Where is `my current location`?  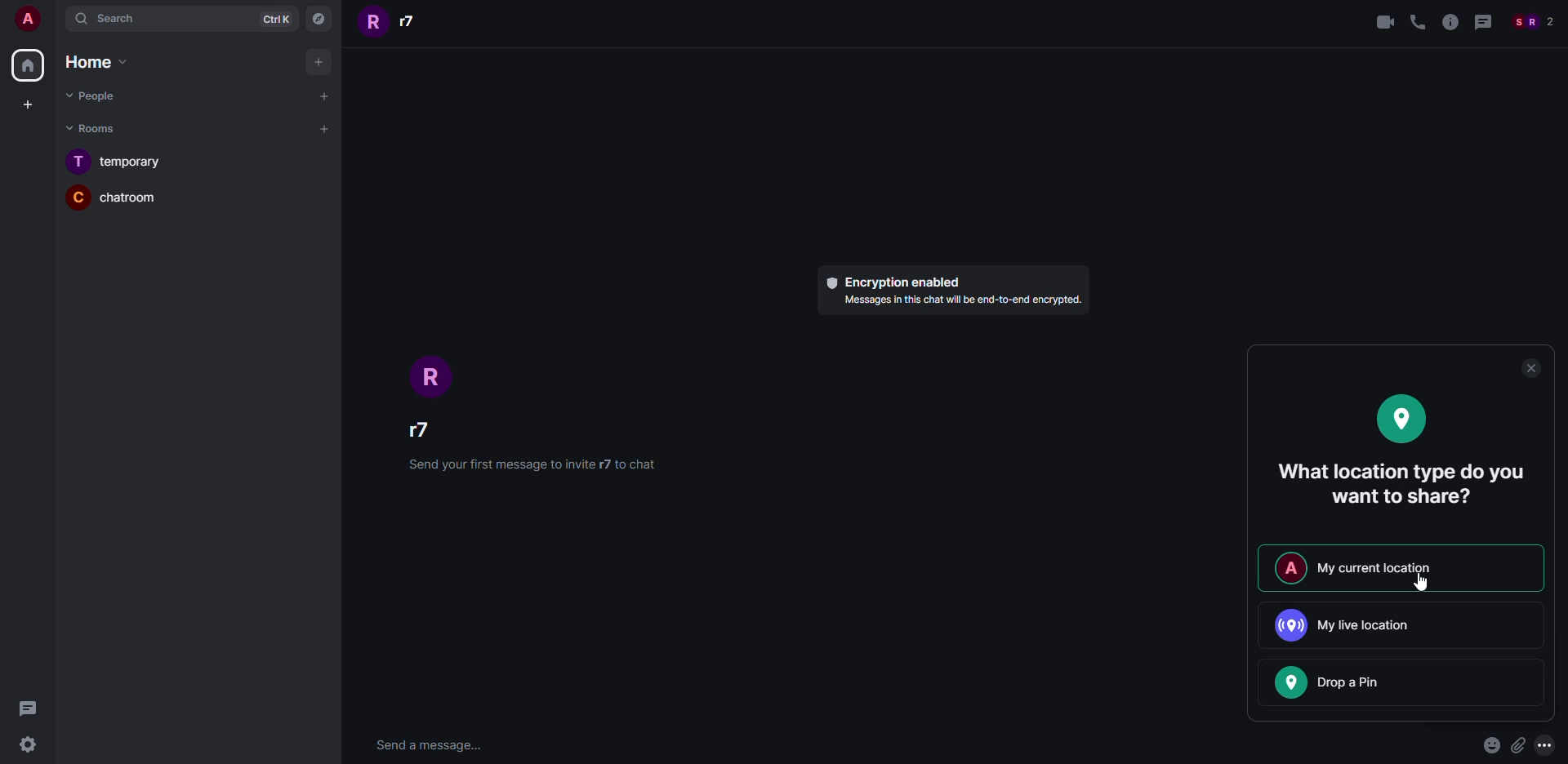 my current location is located at coordinates (1402, 567).